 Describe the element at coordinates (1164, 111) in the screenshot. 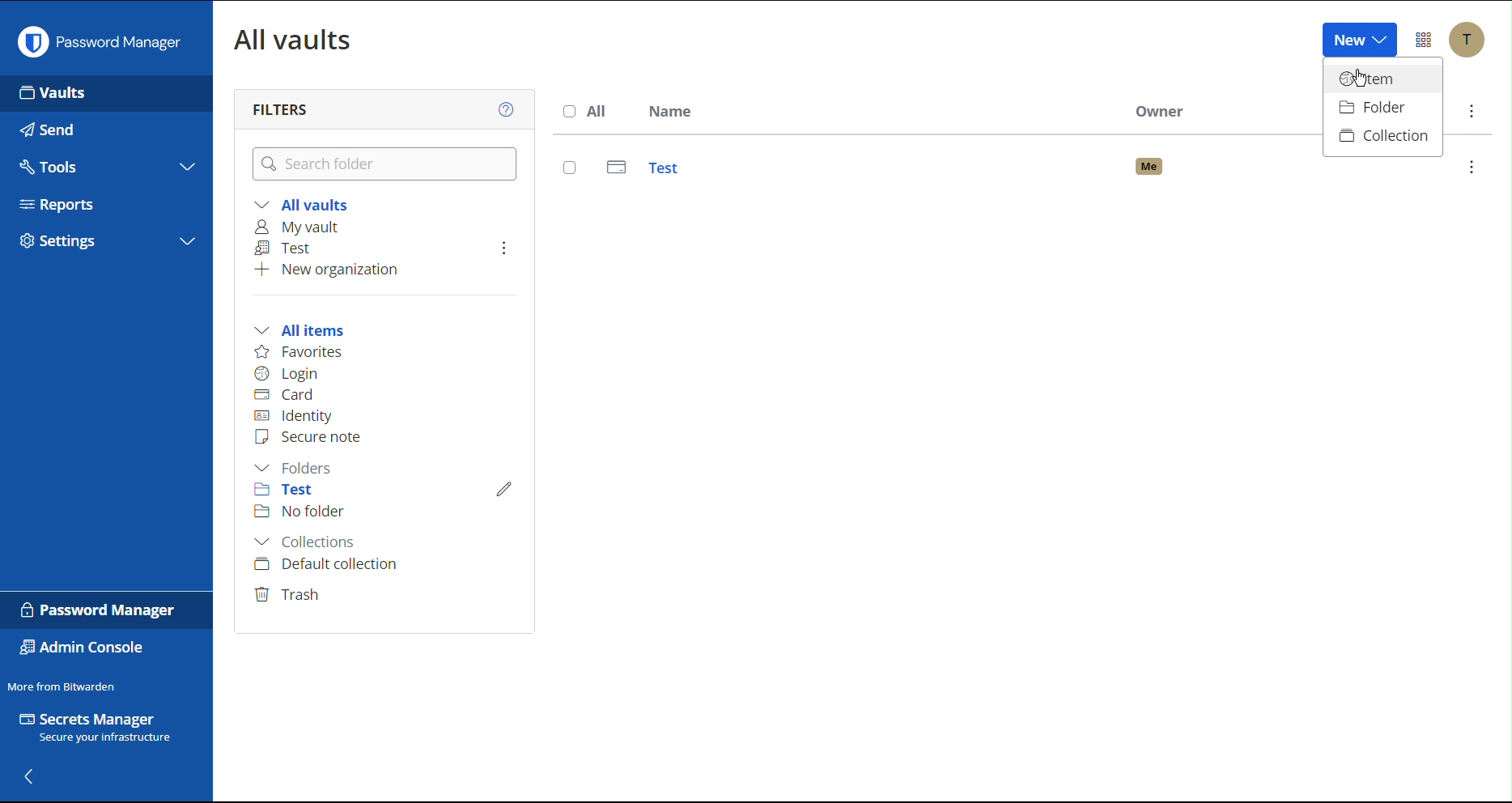

I see `Owner` at that location.